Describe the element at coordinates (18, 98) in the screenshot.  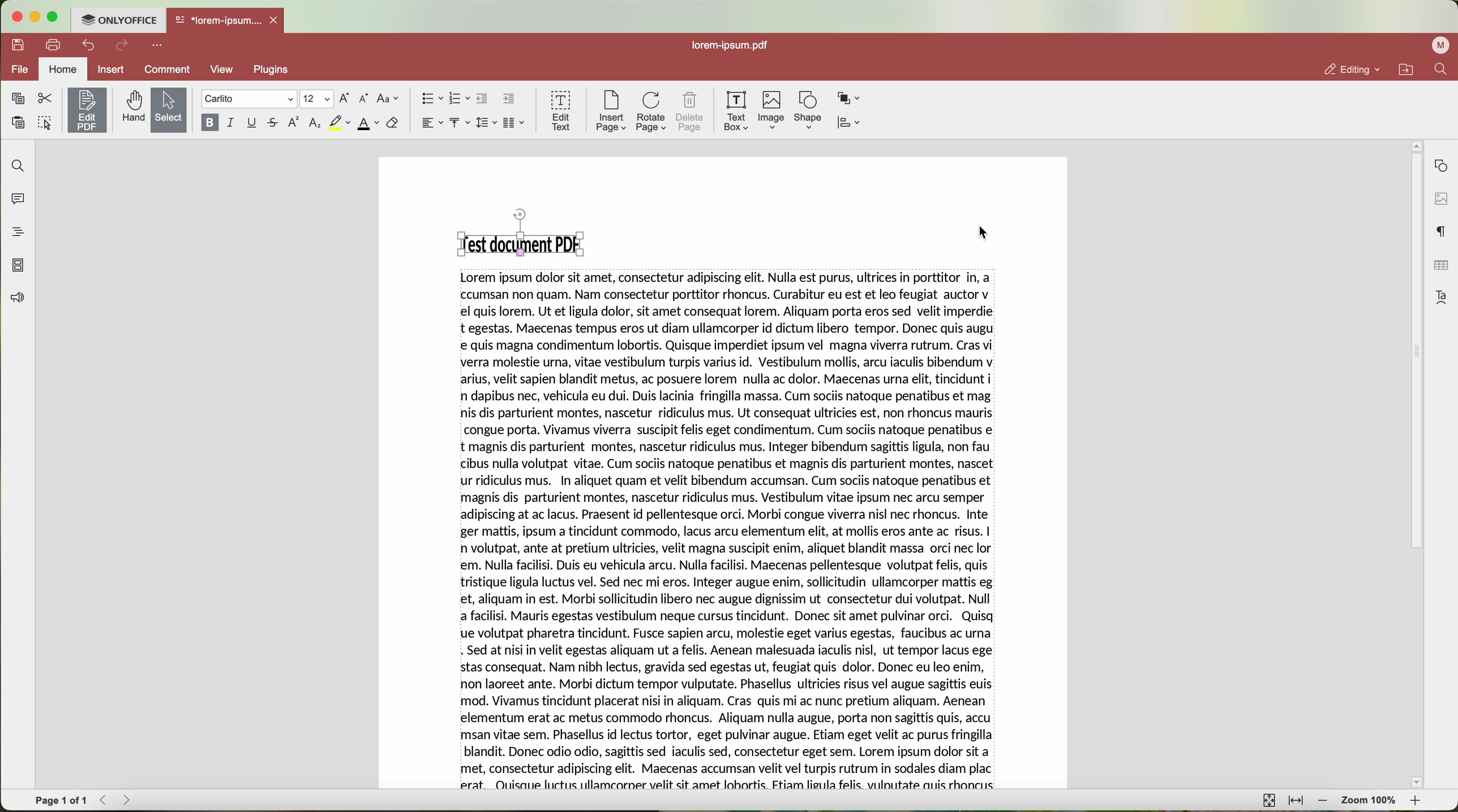
I see `copy` at that location.